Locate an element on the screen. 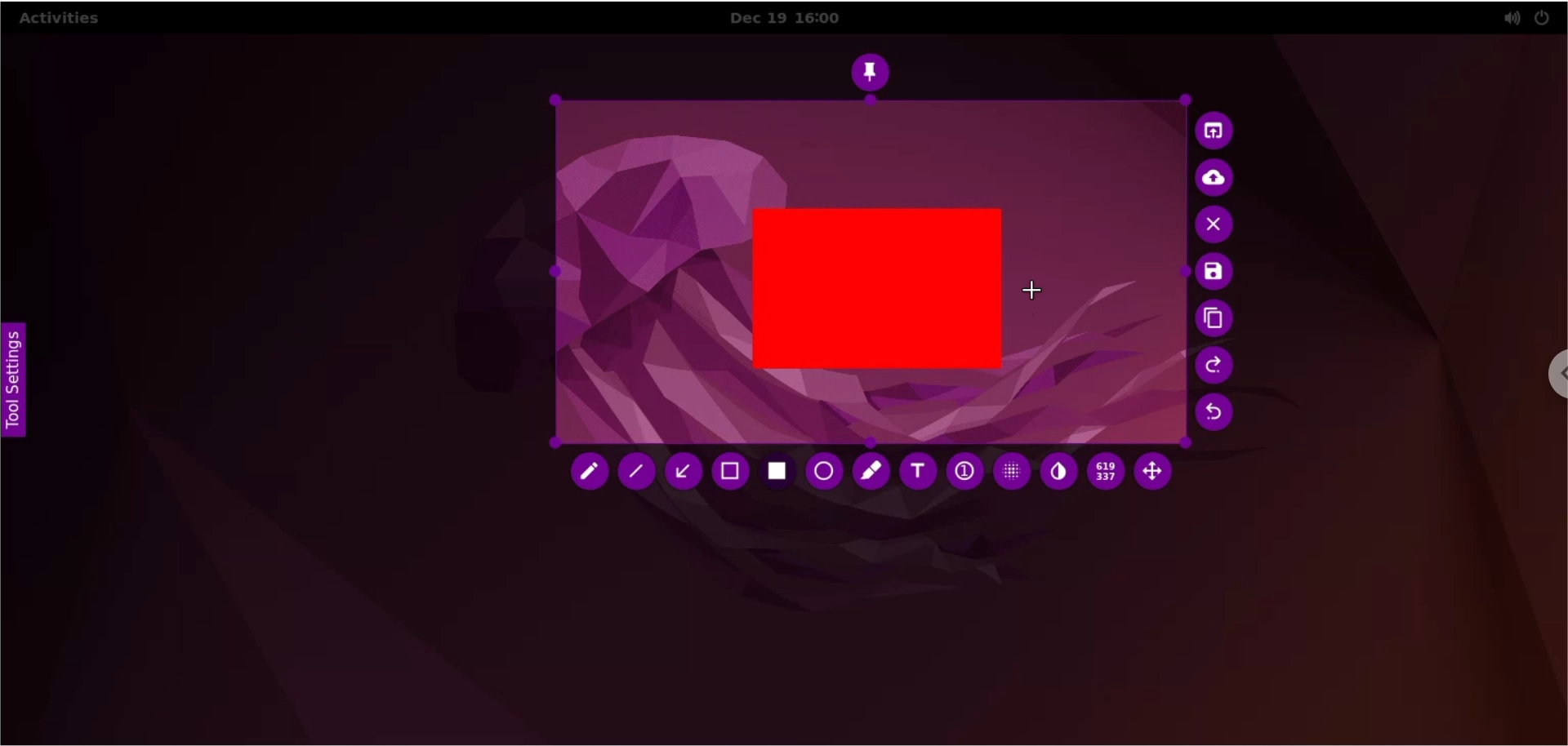 This screenshot has width=1568, height=746. save is located at coordinates (1209, 273).